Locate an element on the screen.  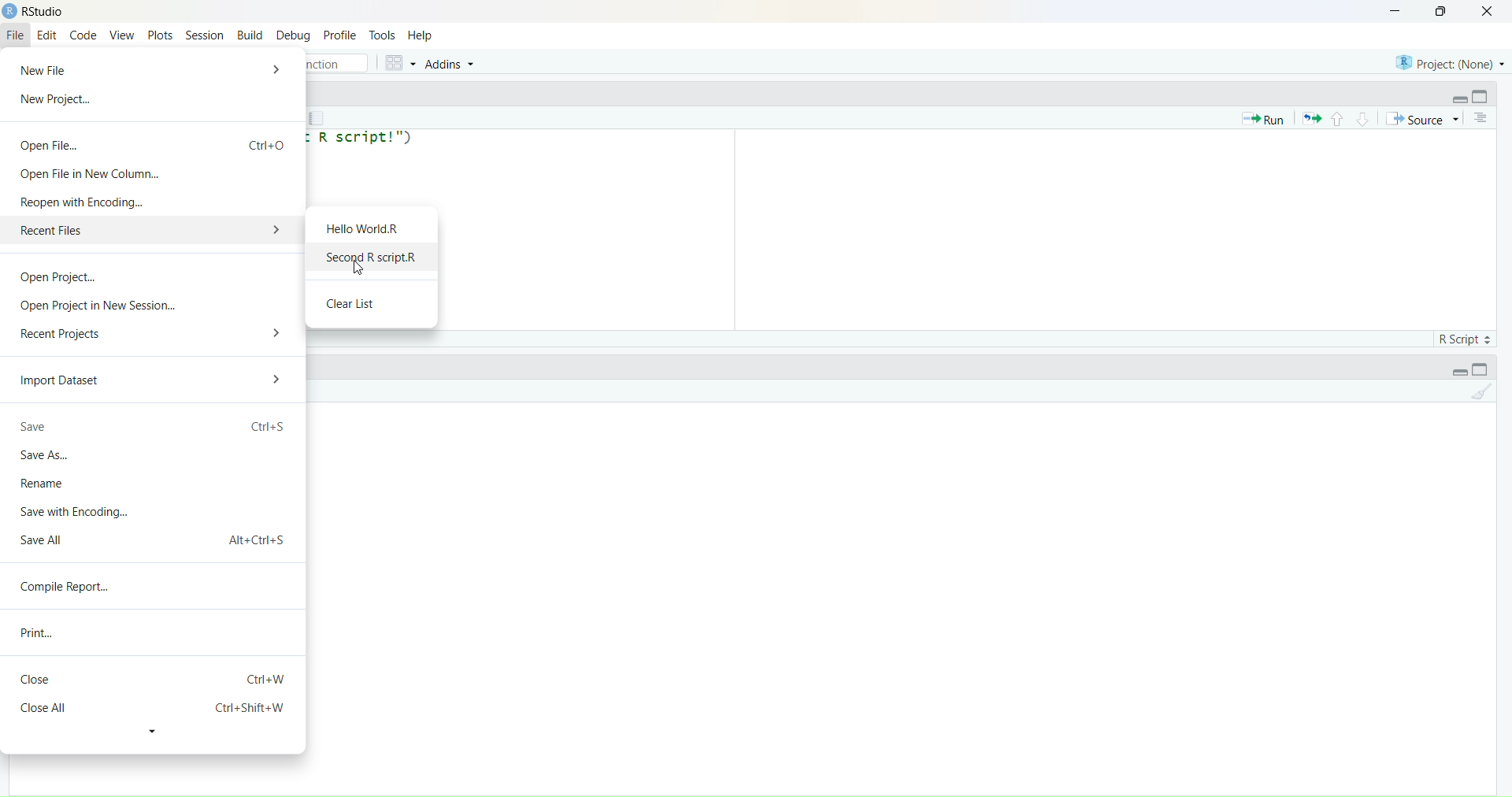
Open Project. is located at coordinates (59, 280).